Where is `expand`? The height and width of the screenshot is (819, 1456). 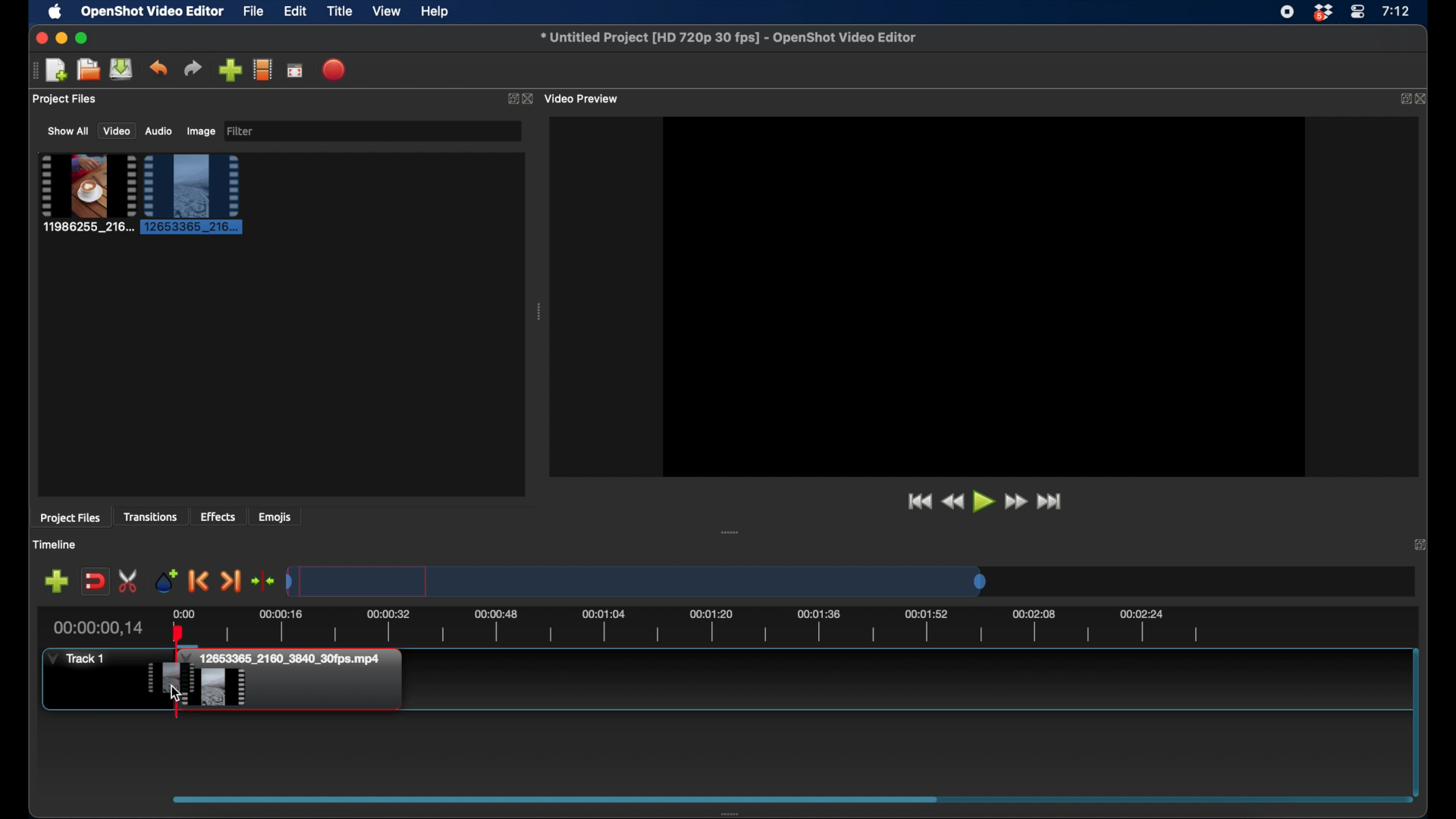
expand is located at coordinates (510, 98).